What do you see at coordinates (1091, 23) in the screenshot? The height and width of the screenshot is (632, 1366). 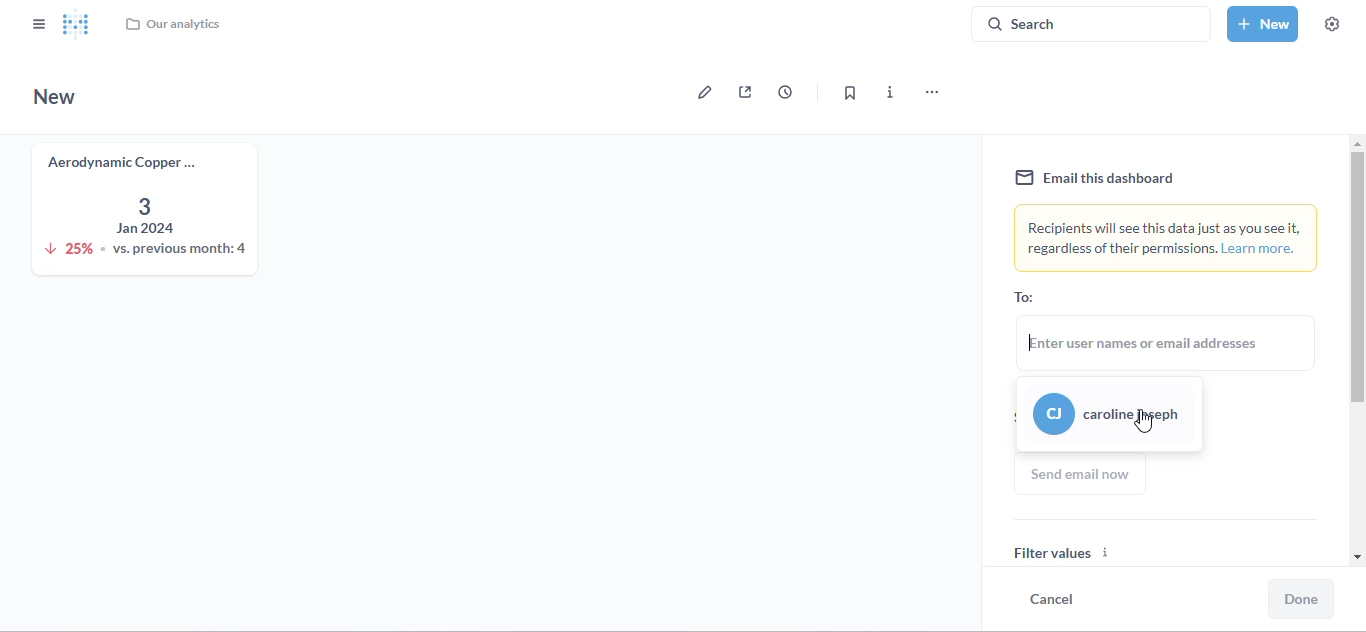 I see `search` at bounding box center [1091, 23].